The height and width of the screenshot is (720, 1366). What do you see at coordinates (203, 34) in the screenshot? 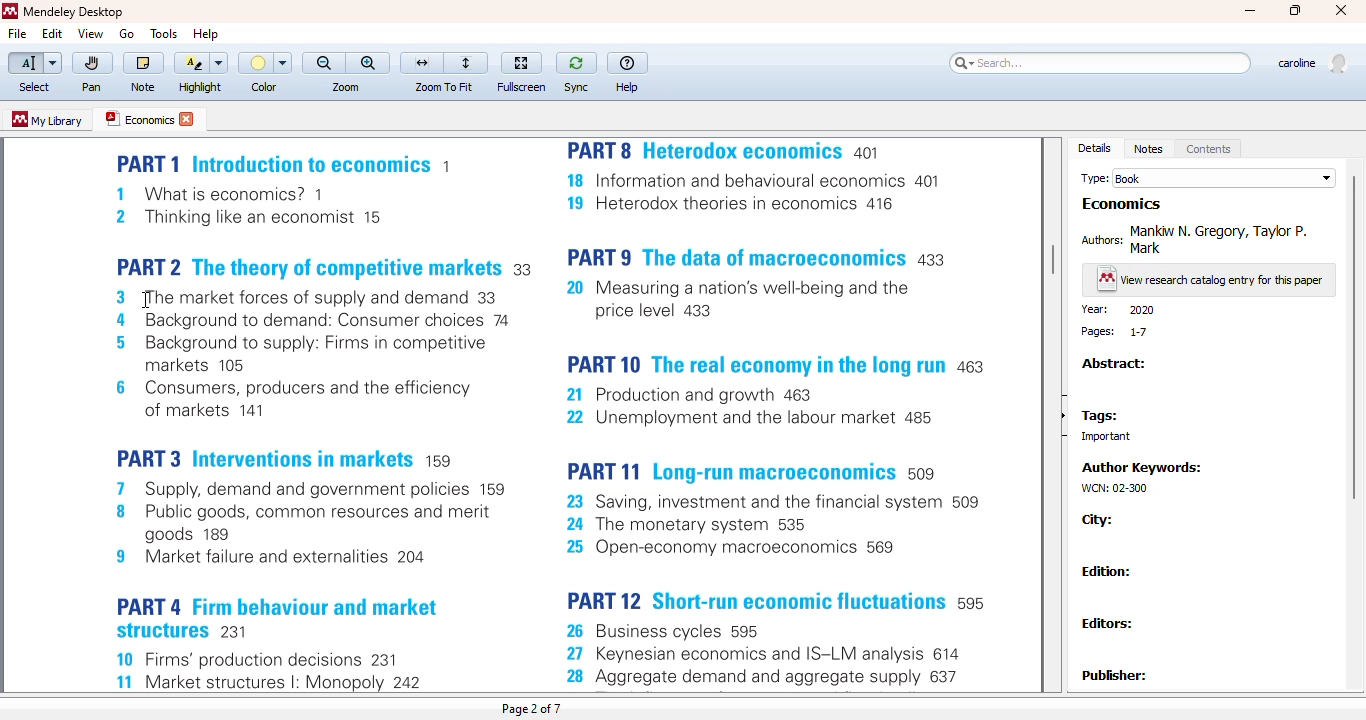
I see `Help` at bounding box center [203, 34].